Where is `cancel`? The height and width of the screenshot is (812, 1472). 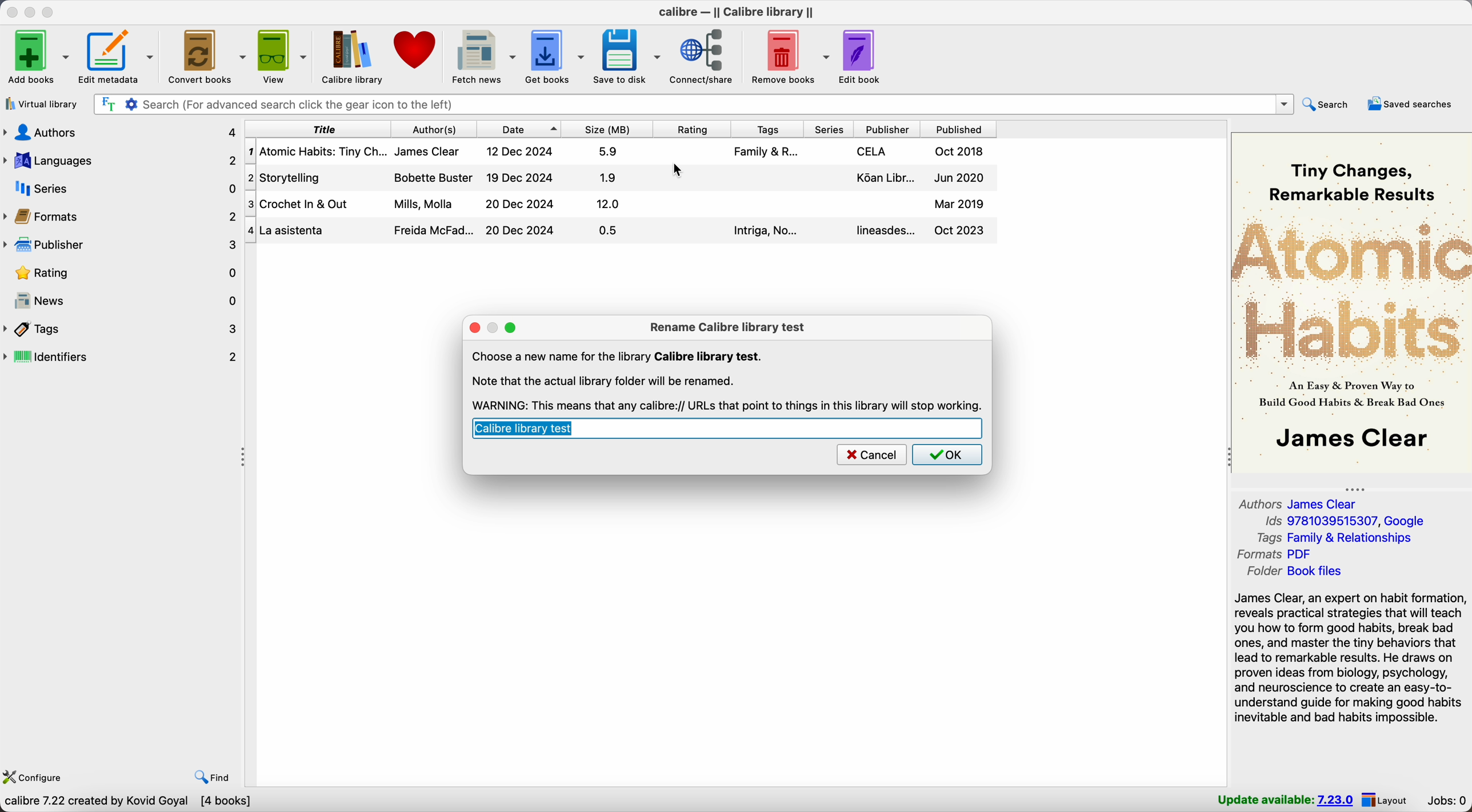 cancel is located at coordinates (871, 455).